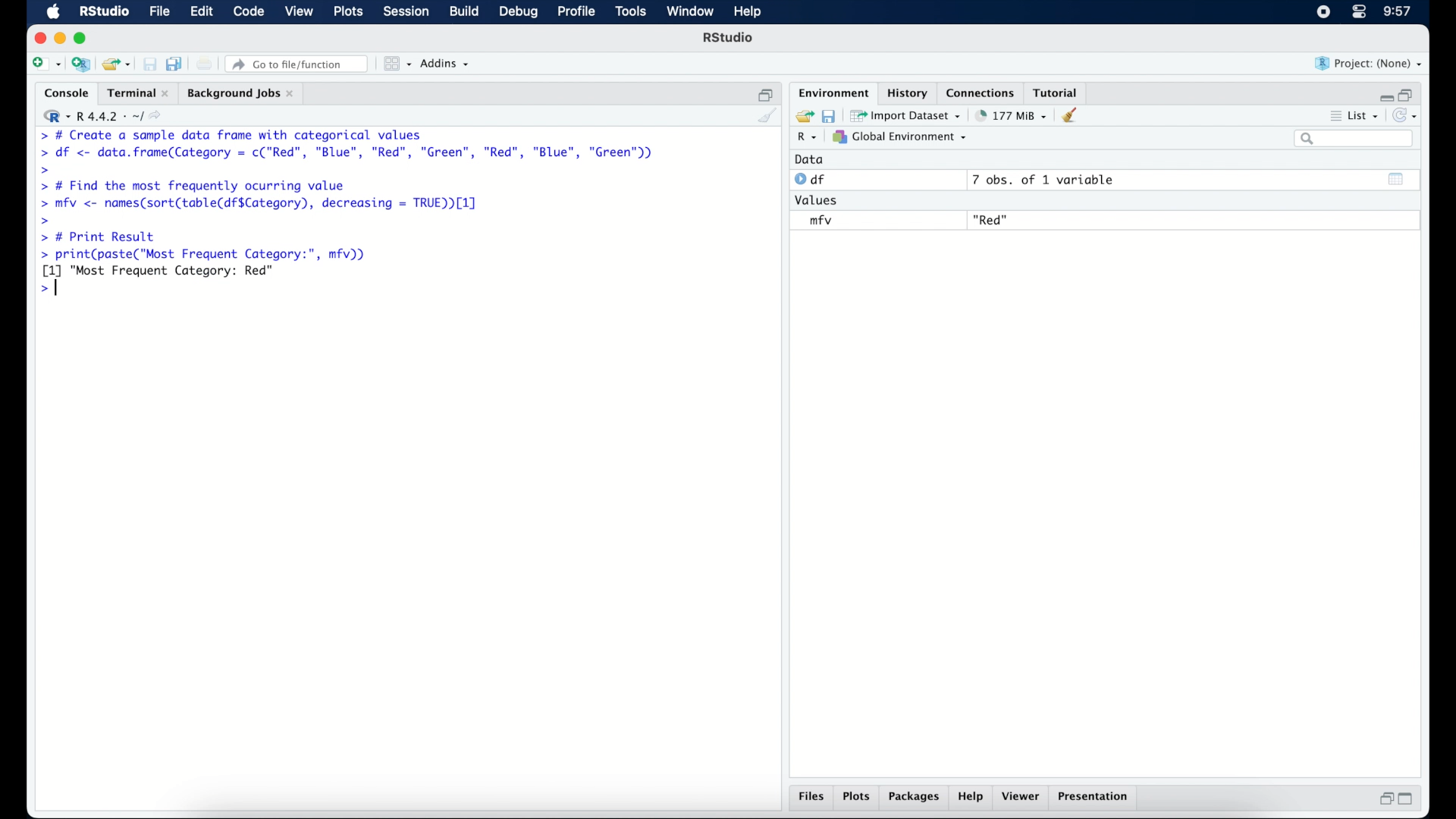 The width and height of the screenshot is (1456, 819). What do you see at coordinates (261, 204) in the screenshot?
I see `> mfv <- names(sort(table(df$Category), decreasing = TRUE [1]` at bounding box center [261, 204].